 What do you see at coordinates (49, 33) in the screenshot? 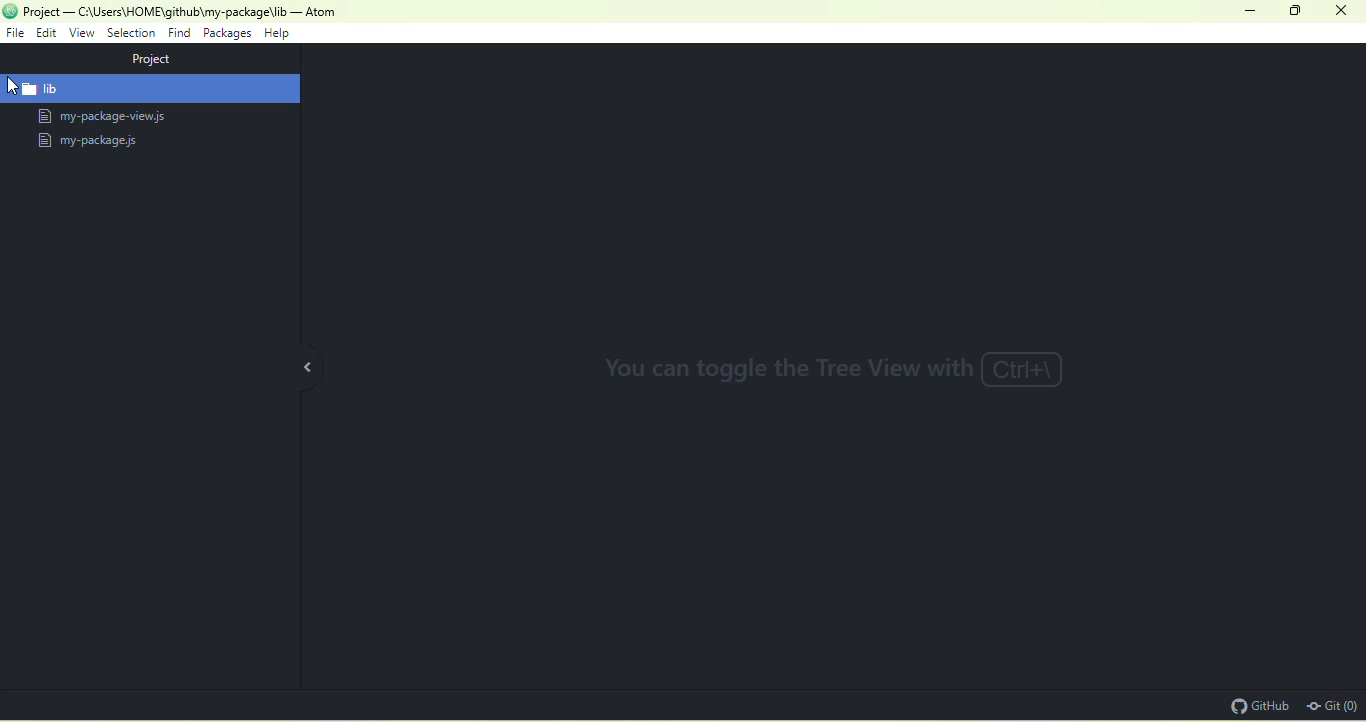
I see `edit` at bounding box center [49, 33].